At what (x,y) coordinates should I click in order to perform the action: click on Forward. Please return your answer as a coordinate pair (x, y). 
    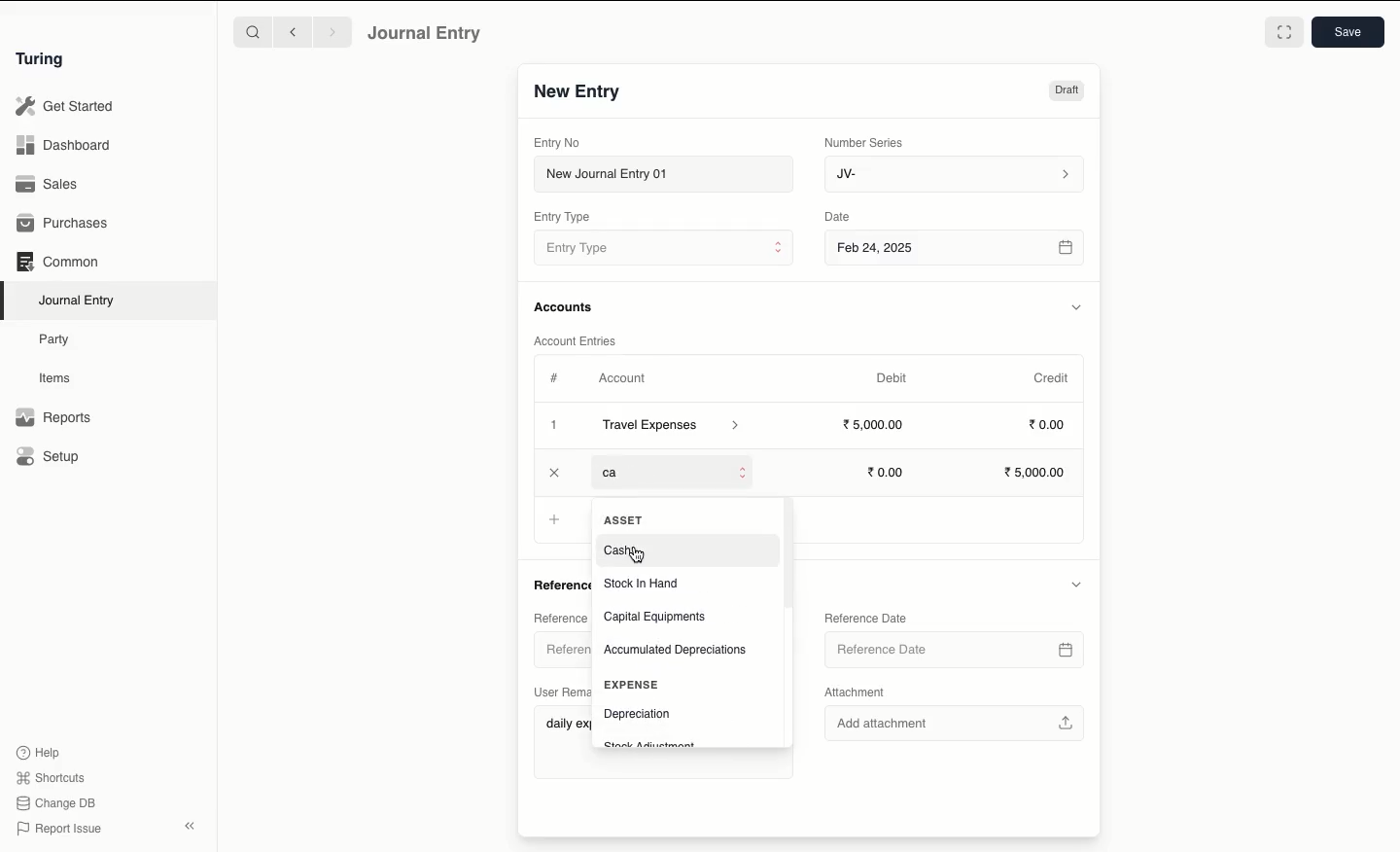
    Looking at the image, I should click on (333, 31).